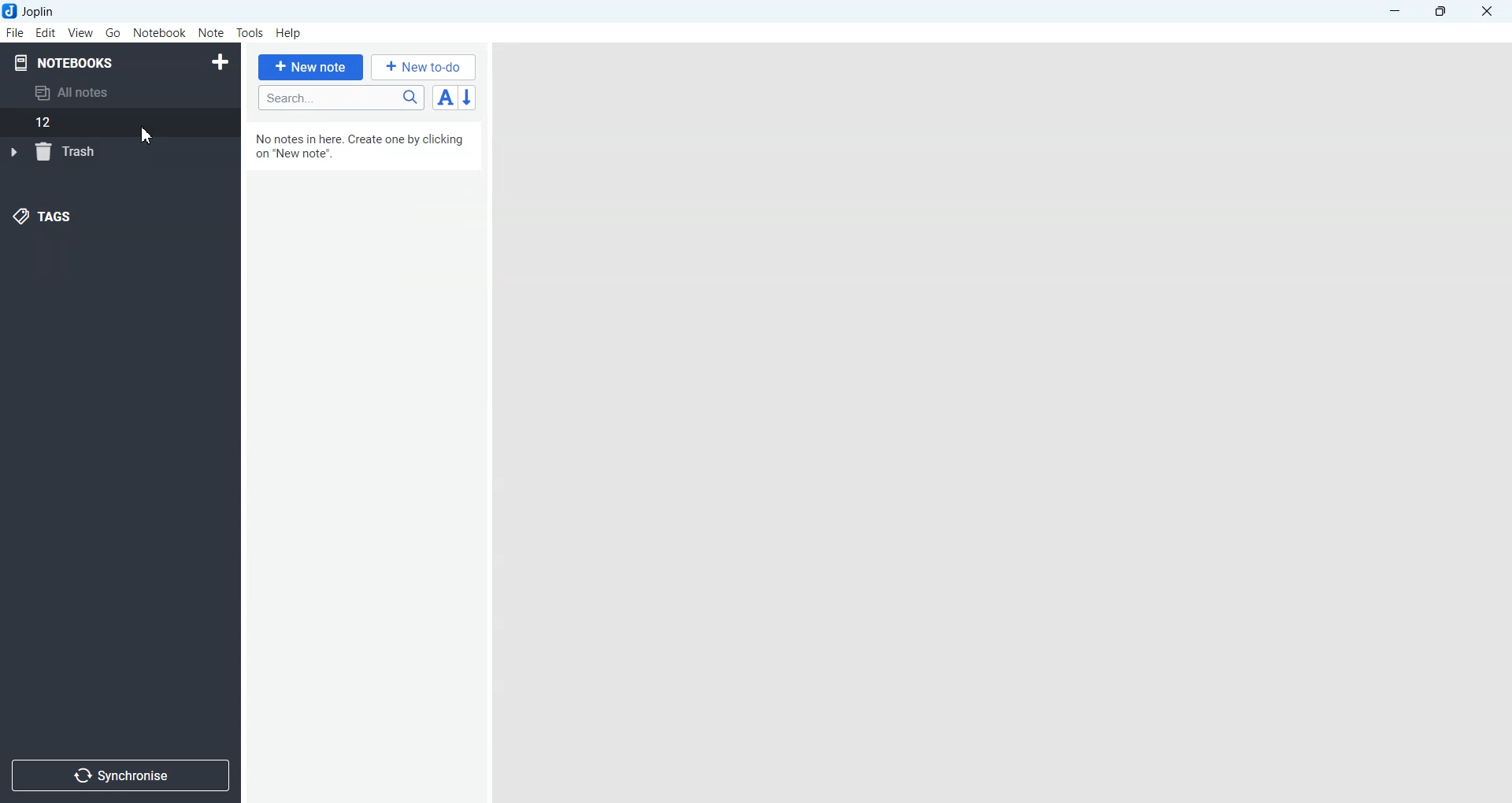 The image size is (1512, 803). Describe the element at coordinates (14, 32) in the screenshot. I see `File ` at that location.